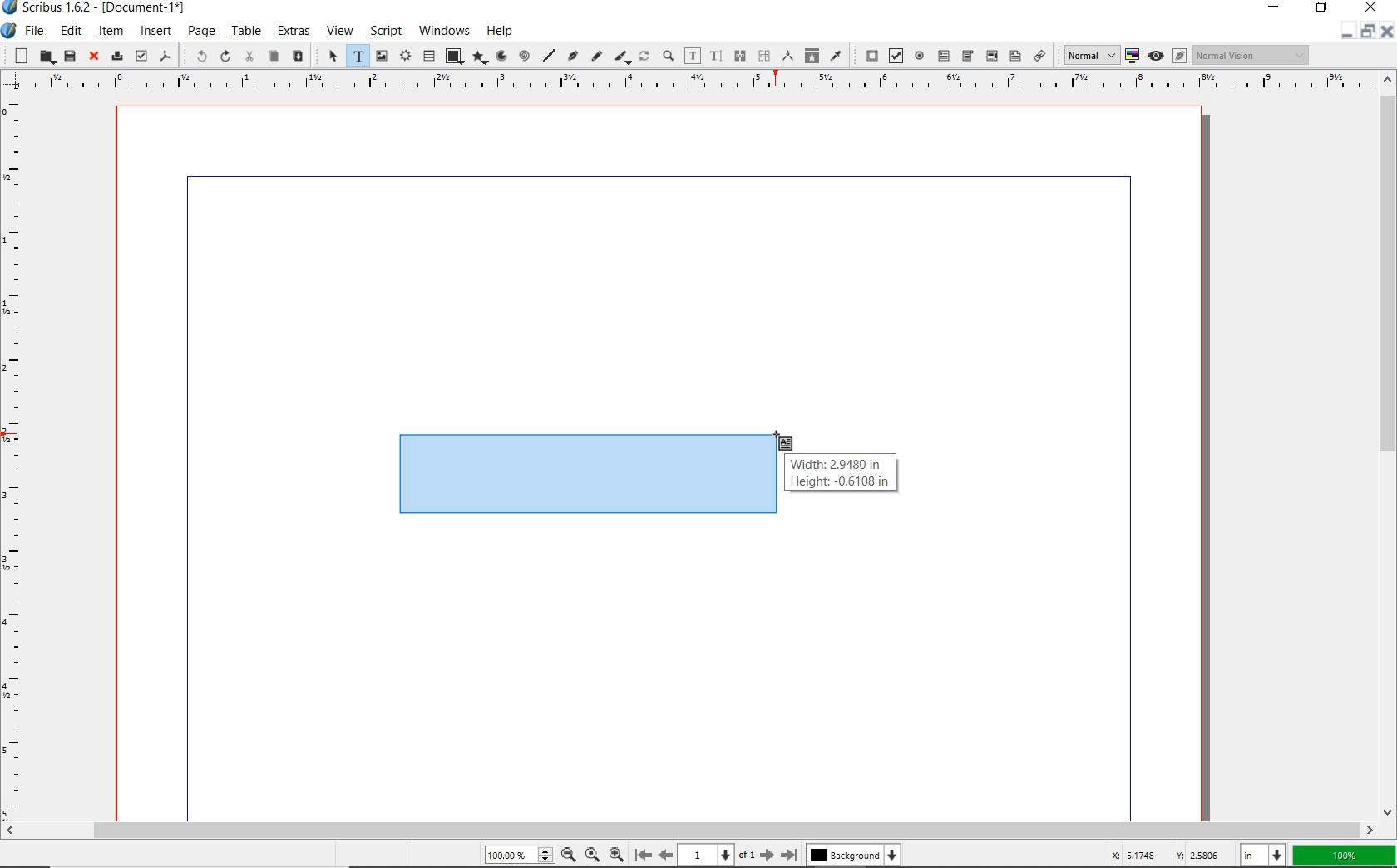 This screenshot has height=868, width=1397. I want to click on Preview mode, so click(1155, 55).